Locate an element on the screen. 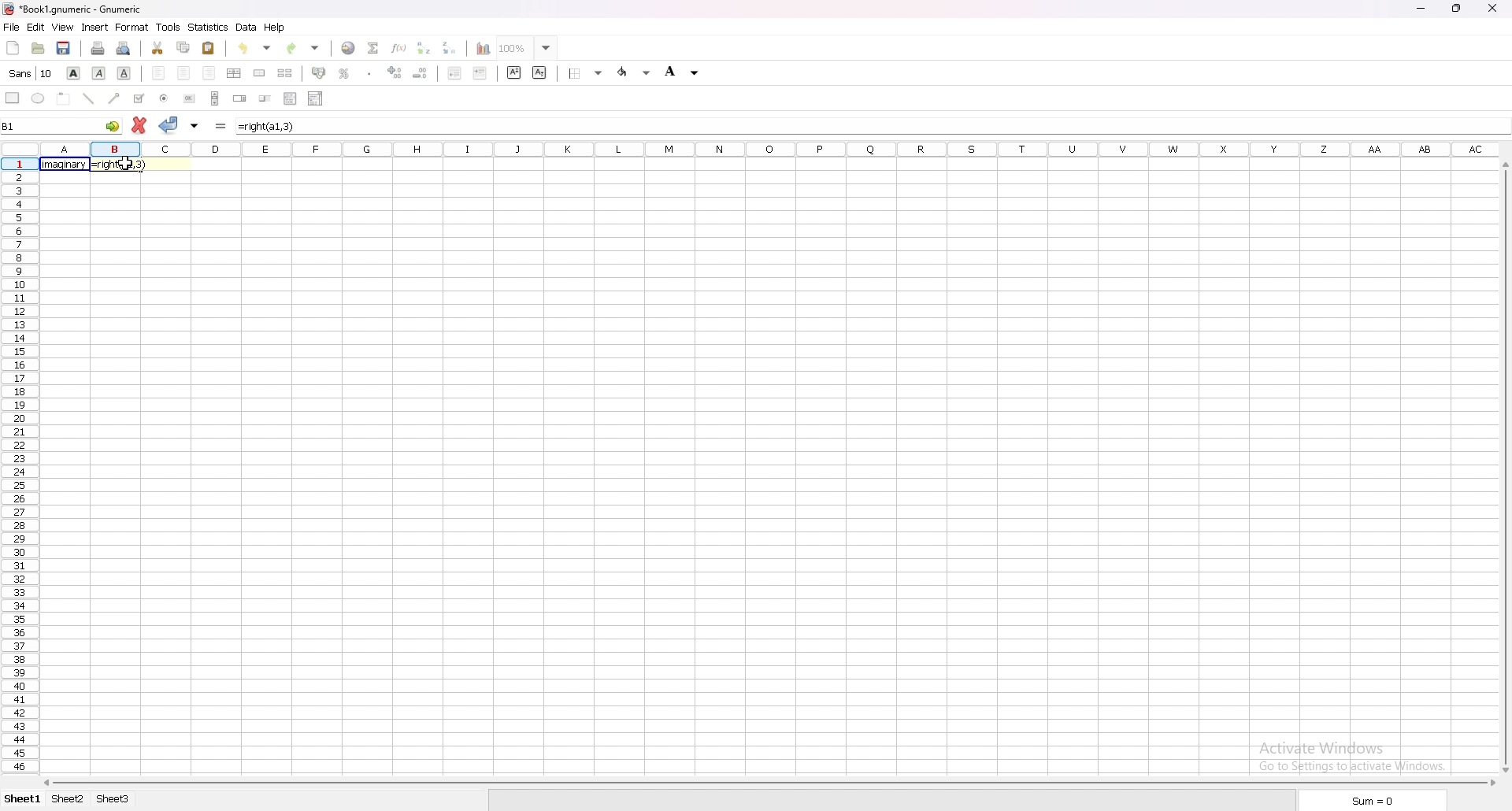 The width and height of the screenshot is (1512, 811). combo box is located at coordinates (316, 99).